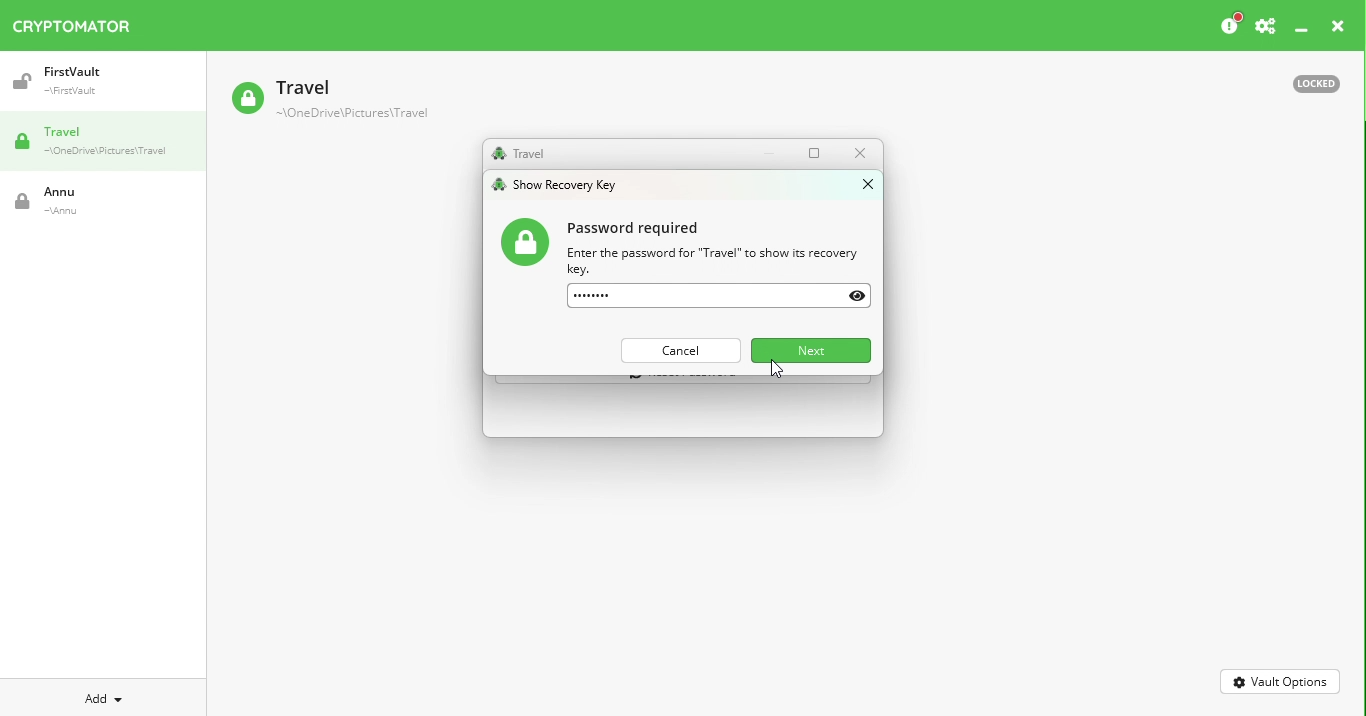  What do you see at coordinates (818, 152) in the screenshot?
I see `Maximize` at bounding box center [818, 152].